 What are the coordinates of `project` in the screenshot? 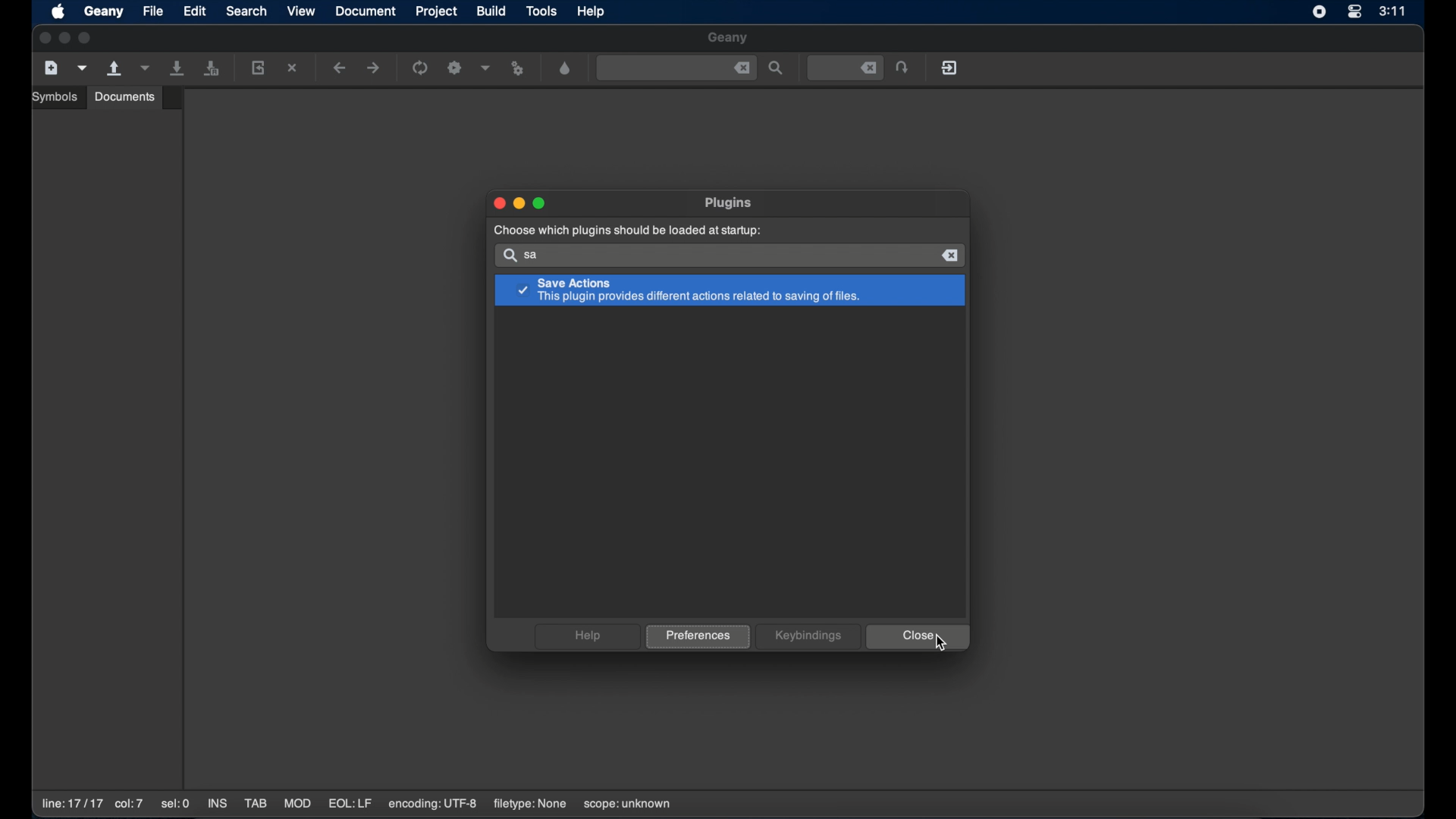 It's located at (438, 11).